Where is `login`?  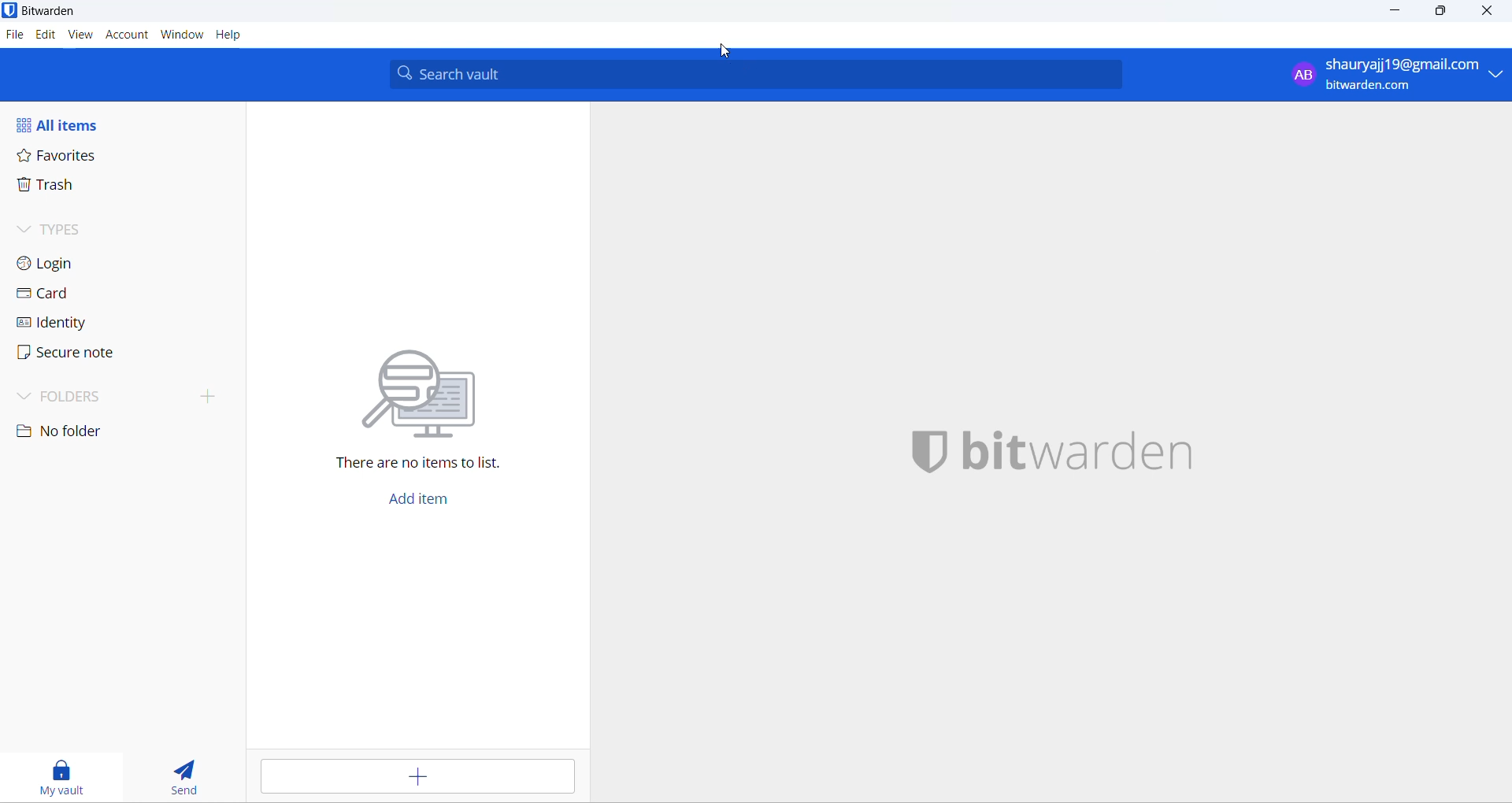
login is located at coordinates (64, 265).